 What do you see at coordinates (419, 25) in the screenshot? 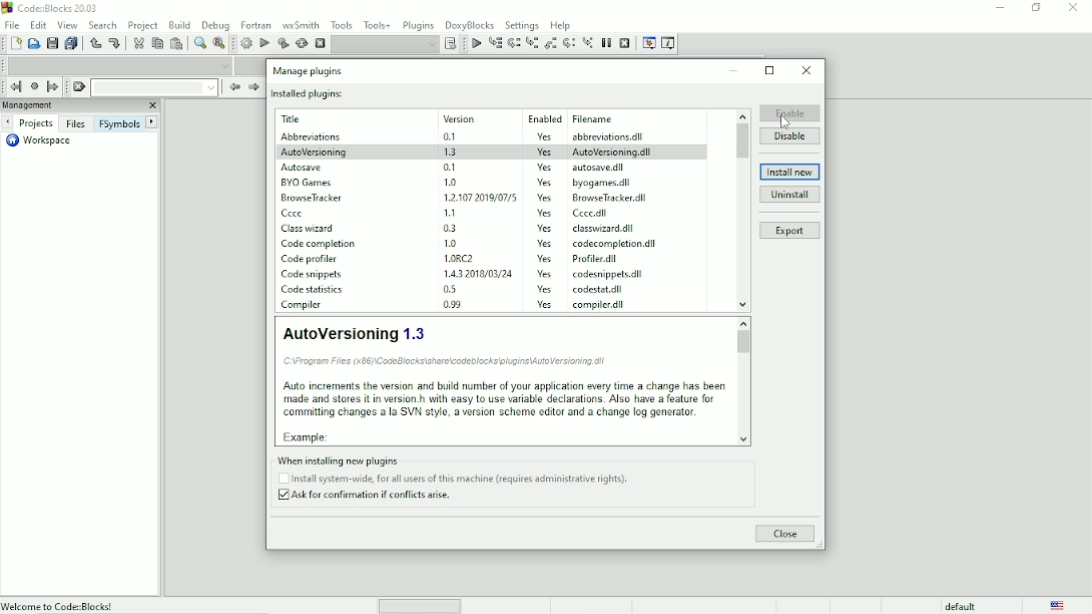
I see `Plugins` at bounding box center [419, 25].